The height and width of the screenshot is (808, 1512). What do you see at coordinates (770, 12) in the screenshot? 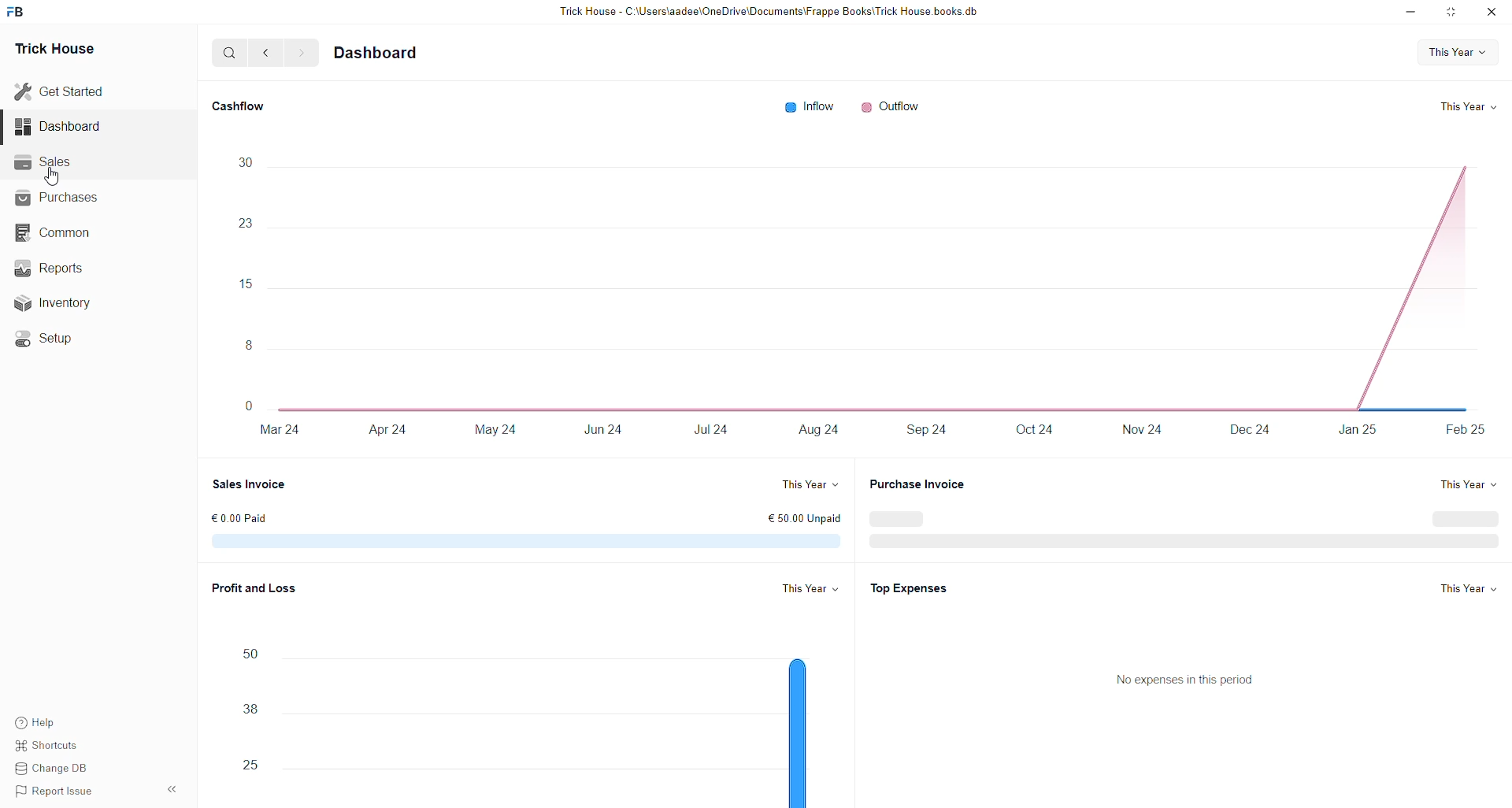
I see `Trick House - C:\Users\aadee\OneDrive\Documents\Frappe Books\Trick House books db` at bounding box center [770, 12].